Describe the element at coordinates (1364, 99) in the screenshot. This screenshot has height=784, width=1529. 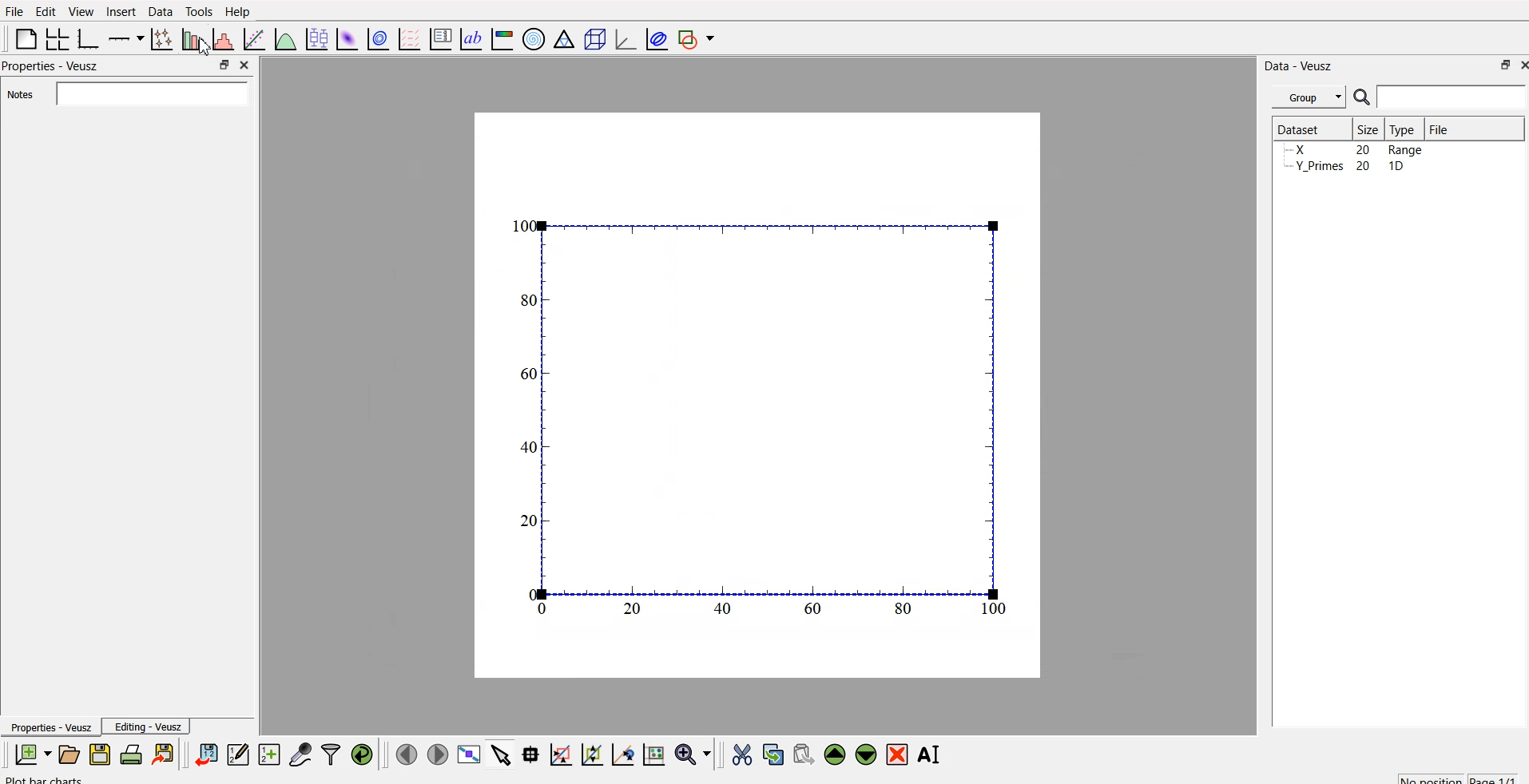
I see `search icon` at that location.